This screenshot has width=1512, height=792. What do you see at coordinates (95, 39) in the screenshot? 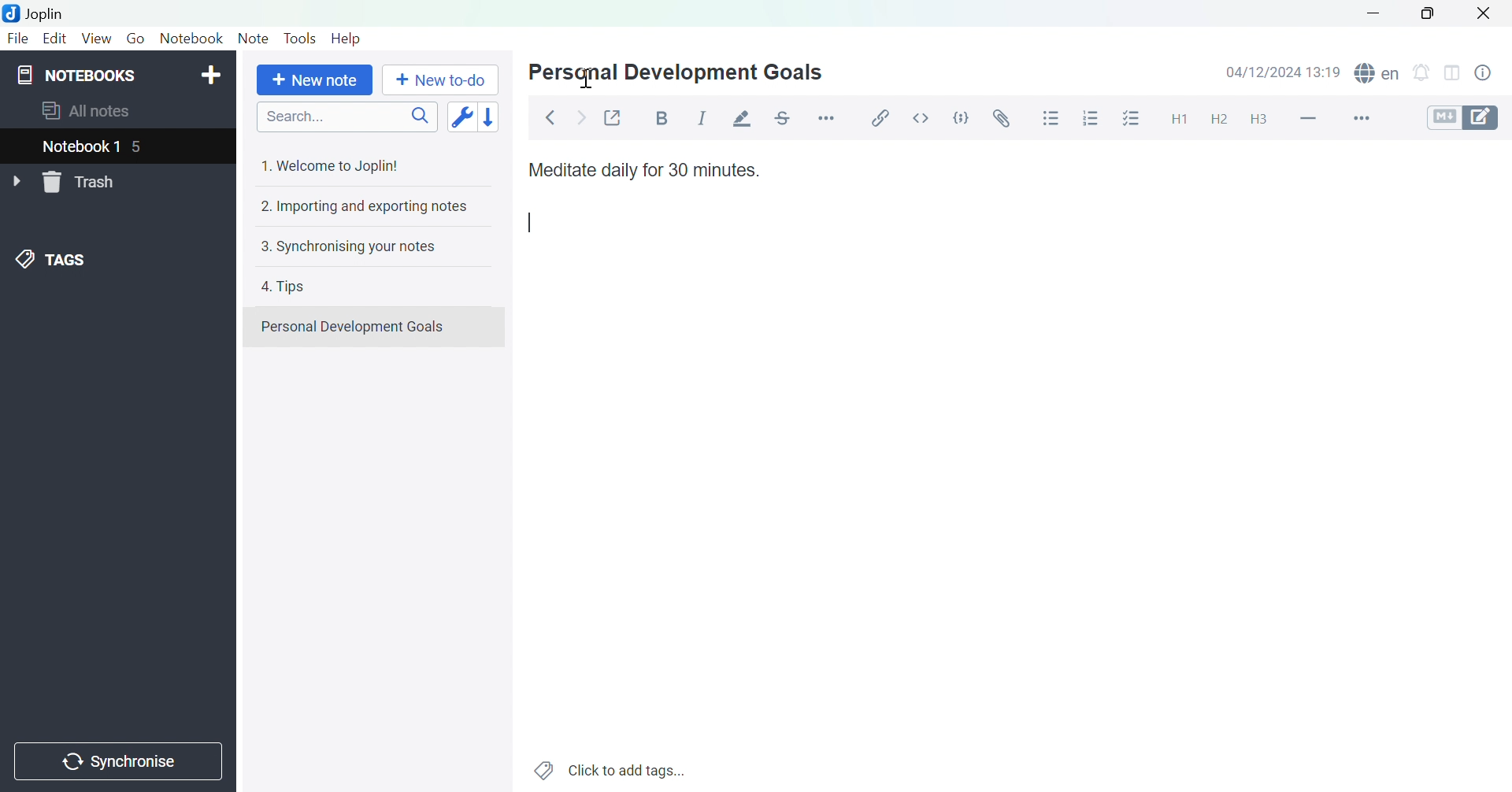
I see `View` at bounding box center [95, 39].